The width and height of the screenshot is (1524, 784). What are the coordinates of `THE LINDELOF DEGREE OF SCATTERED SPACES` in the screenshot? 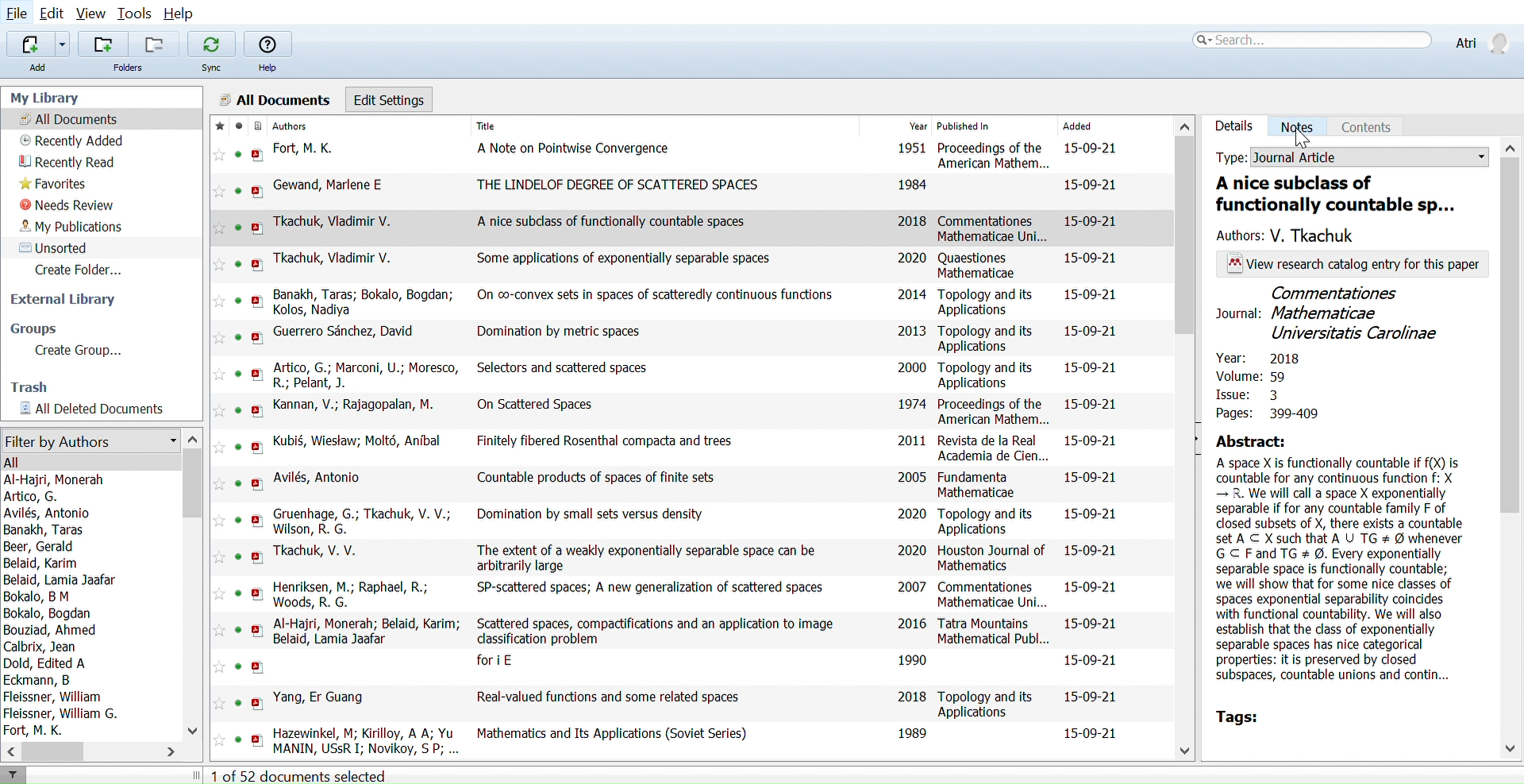 It's located at (619, 185).